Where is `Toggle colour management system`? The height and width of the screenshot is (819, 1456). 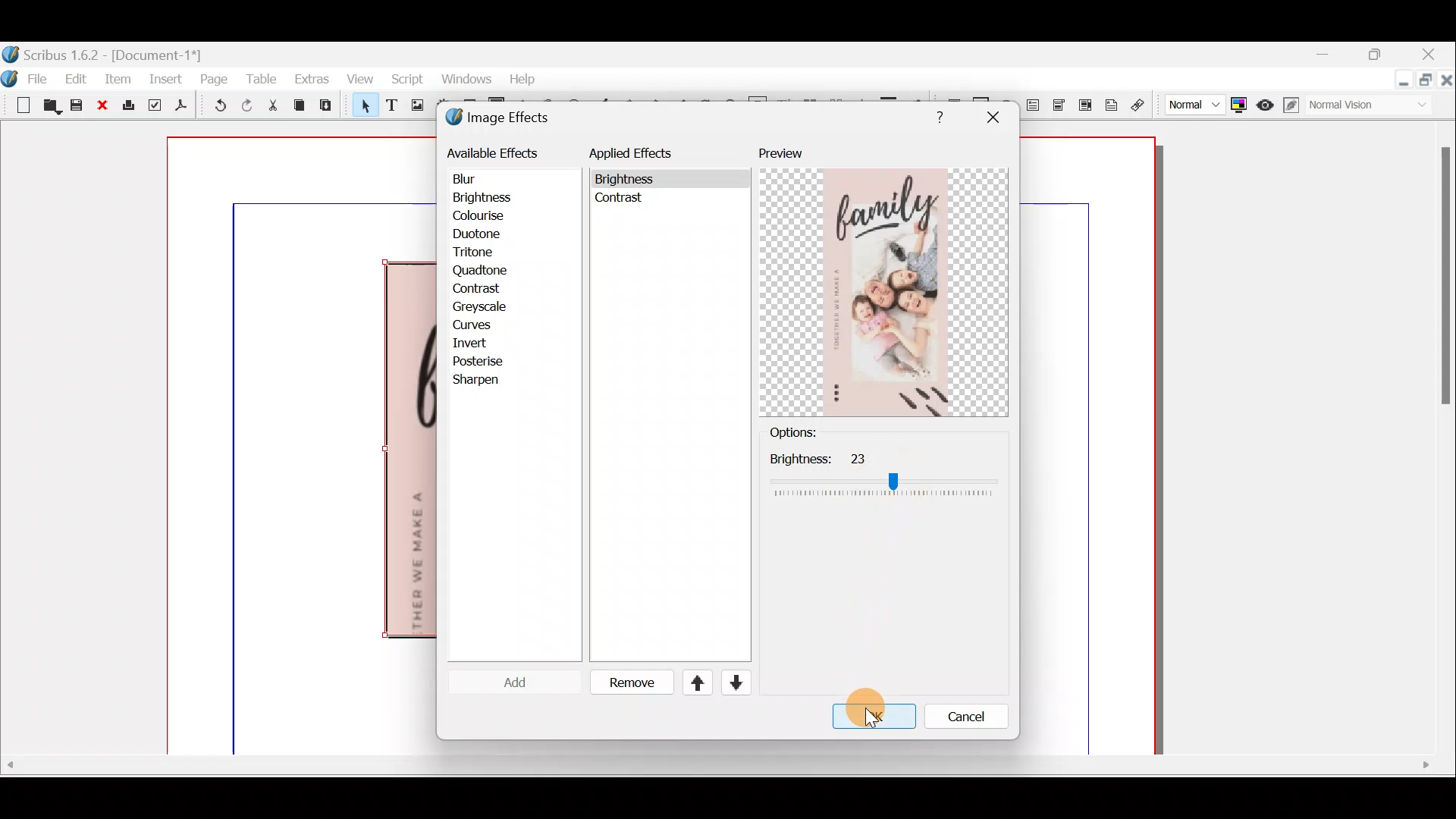
Toggle colour management system is located at coordinates (1238, 102).